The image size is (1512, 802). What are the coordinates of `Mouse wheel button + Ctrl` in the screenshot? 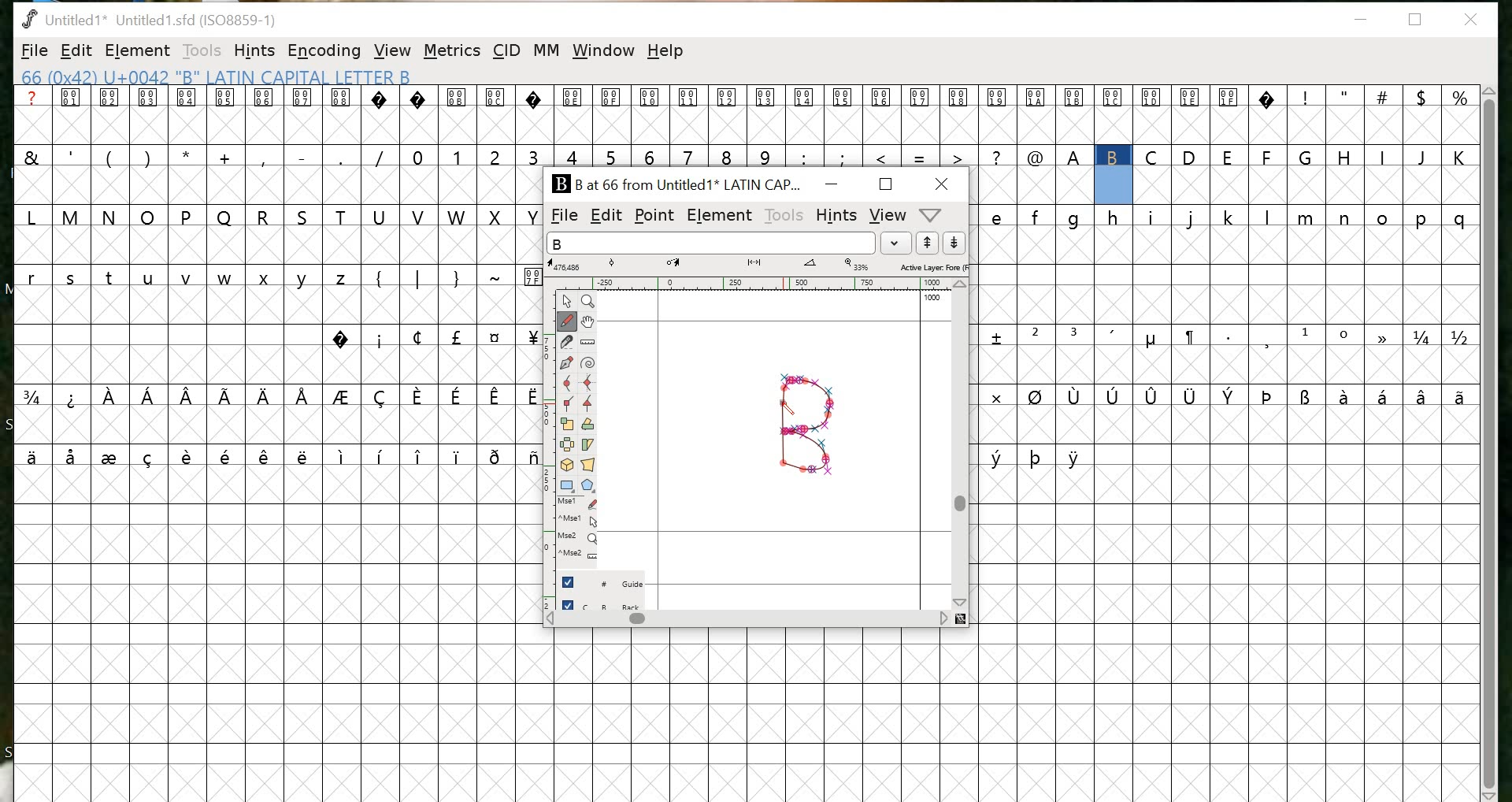 It's located at (579, 555).